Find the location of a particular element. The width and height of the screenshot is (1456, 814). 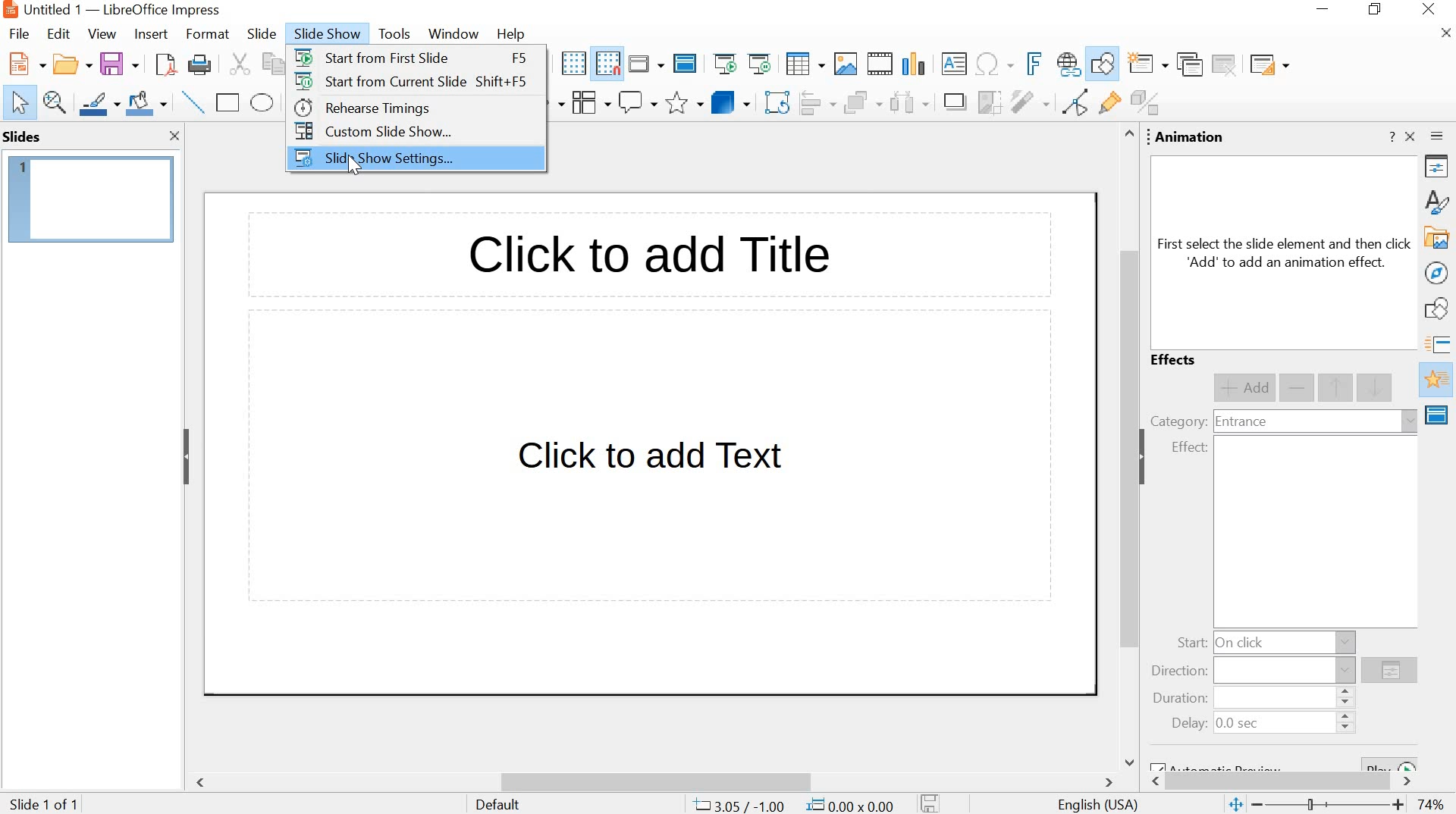

zoom out is located at coordinates (1259, 805).